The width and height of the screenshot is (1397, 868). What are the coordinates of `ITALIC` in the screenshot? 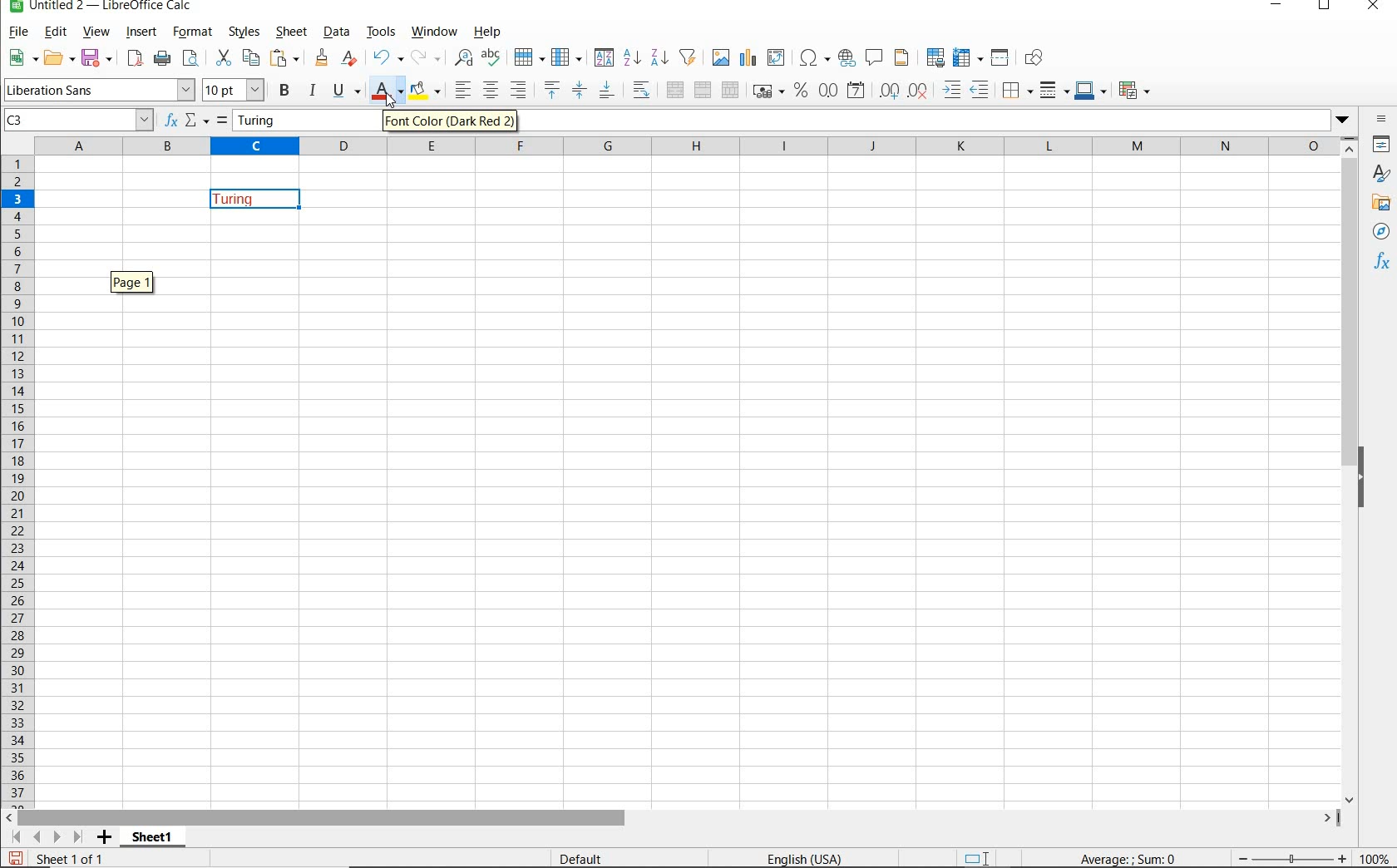 It's located at (312, 90).